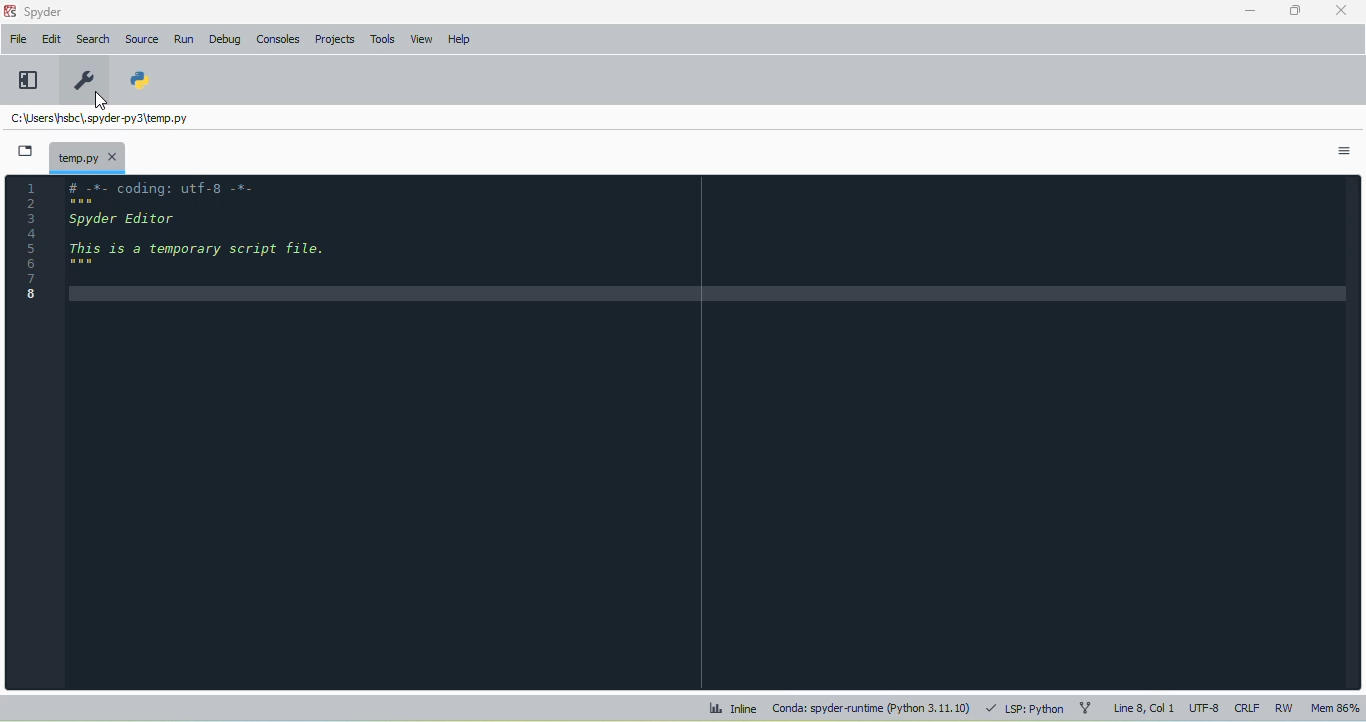 The image size is (1366, 722). I want to click on minimize, so click(1251, 11).